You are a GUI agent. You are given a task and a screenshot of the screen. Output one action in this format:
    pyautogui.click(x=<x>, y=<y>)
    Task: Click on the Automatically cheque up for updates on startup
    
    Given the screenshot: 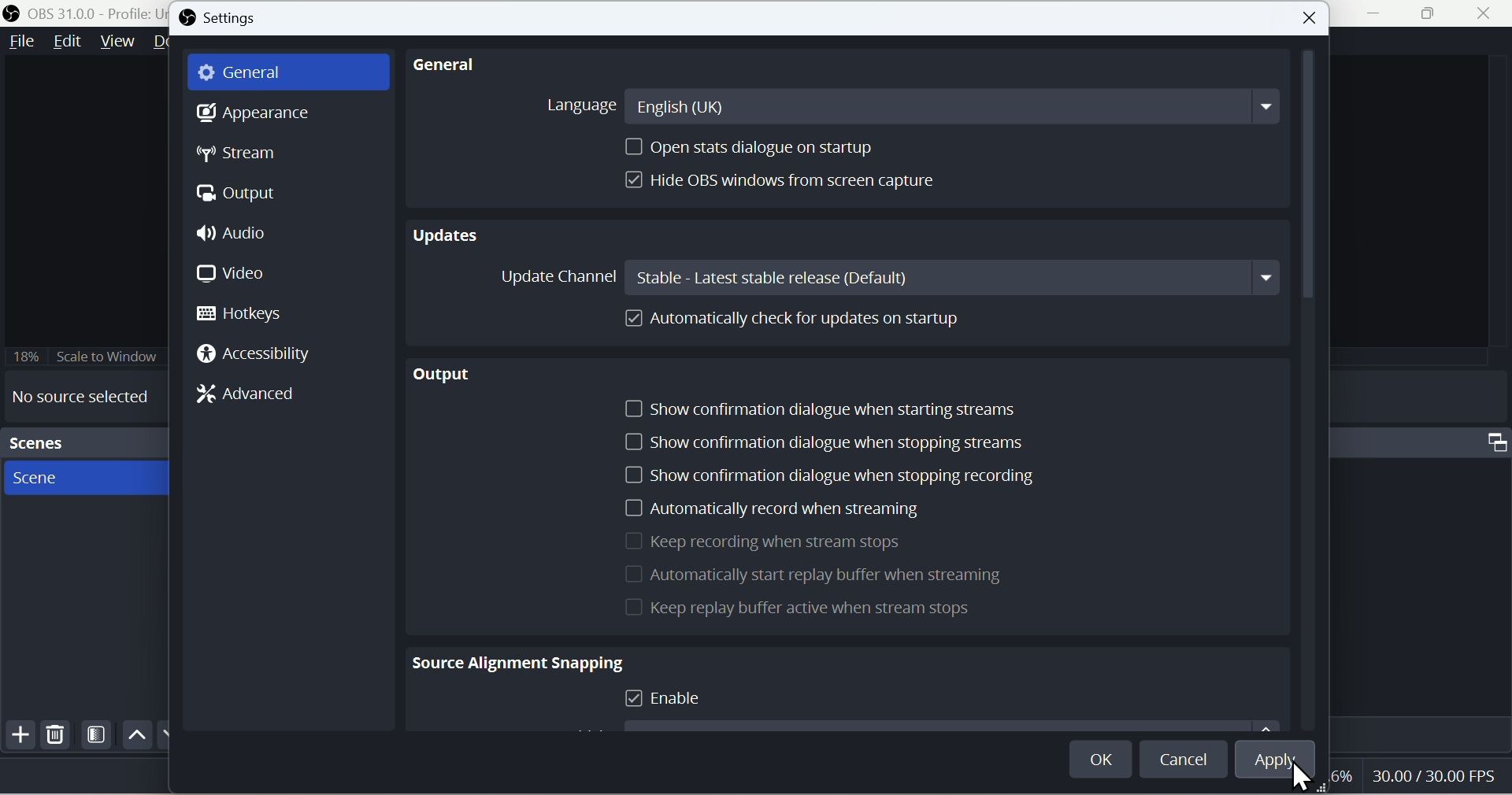 What is the action you would take?
    pyautogui.click(x=790, y=325)
    